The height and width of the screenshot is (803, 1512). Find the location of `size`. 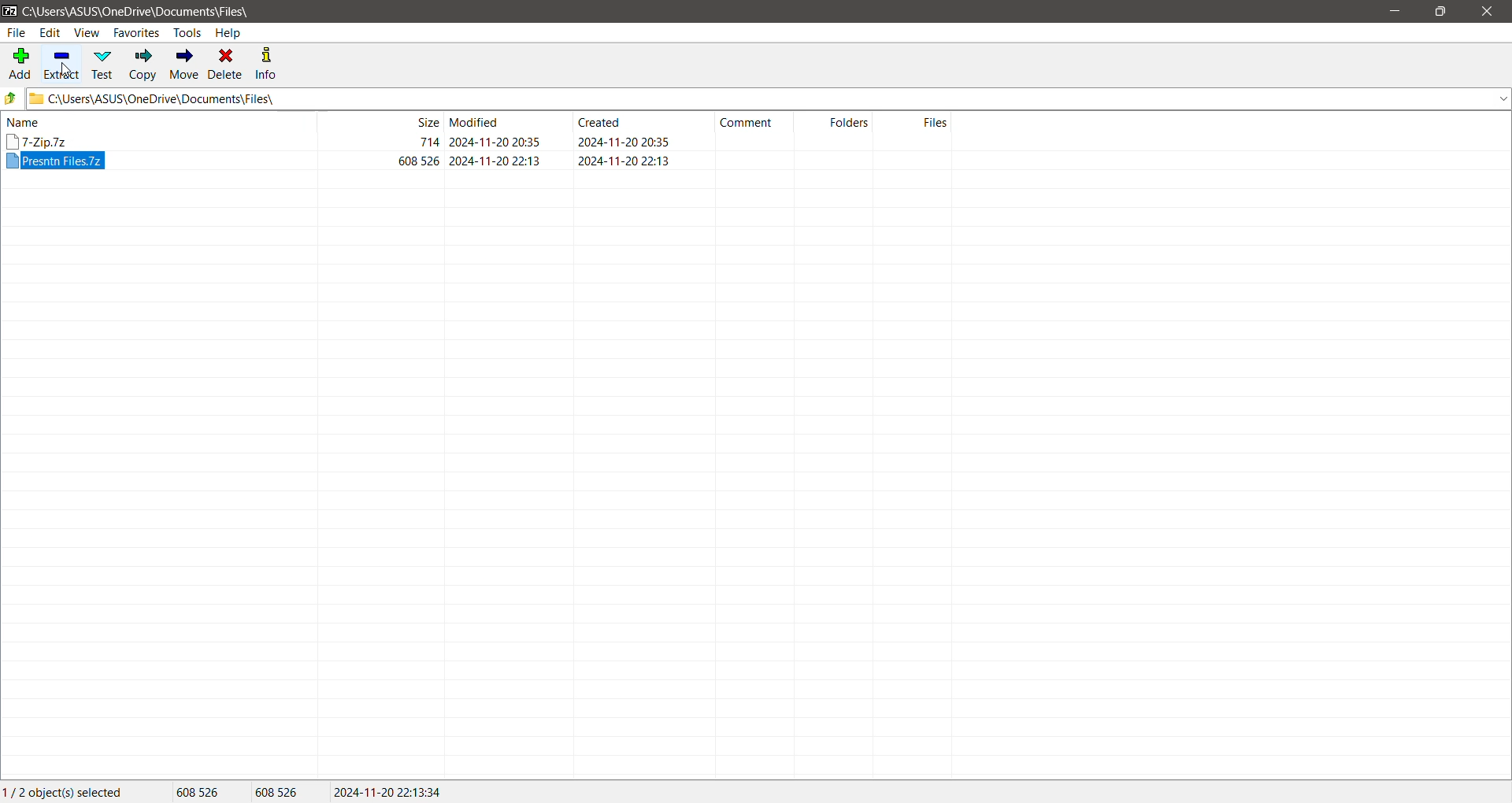

size is located at coordinates (425, 121).